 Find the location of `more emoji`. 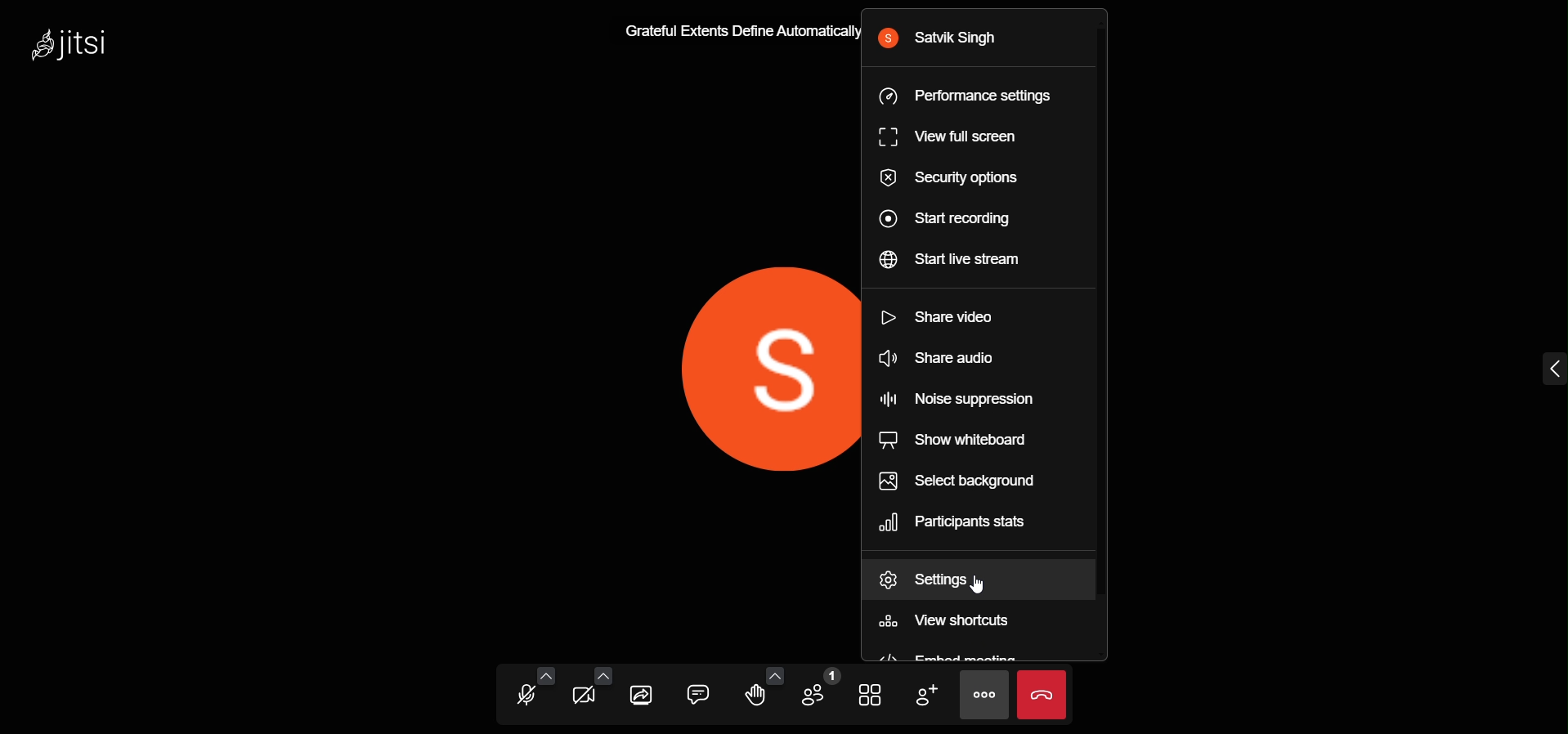

more emoji is located at coordinates (774, 674).